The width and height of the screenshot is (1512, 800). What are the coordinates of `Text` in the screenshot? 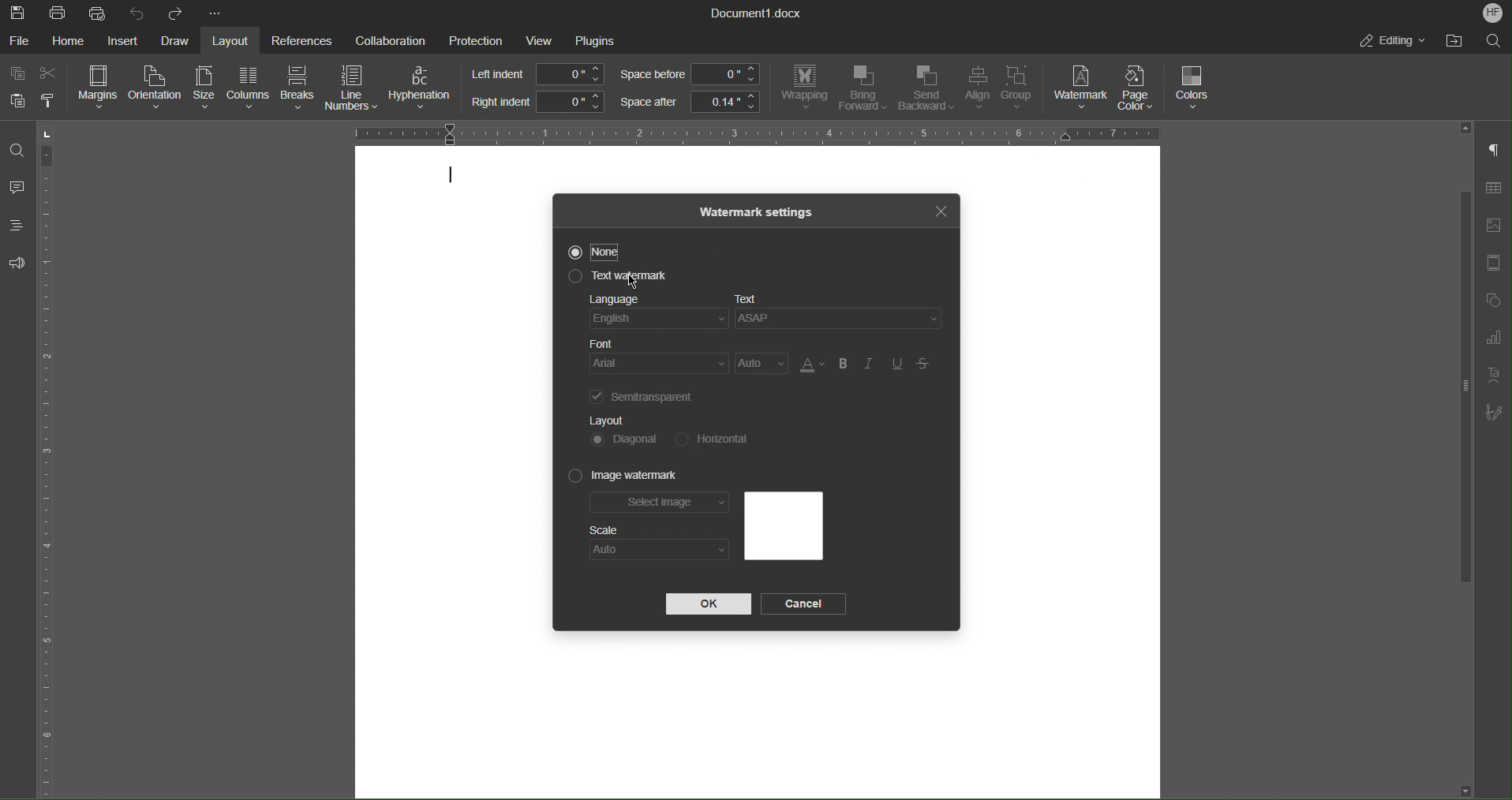 It's located at (842, 315).